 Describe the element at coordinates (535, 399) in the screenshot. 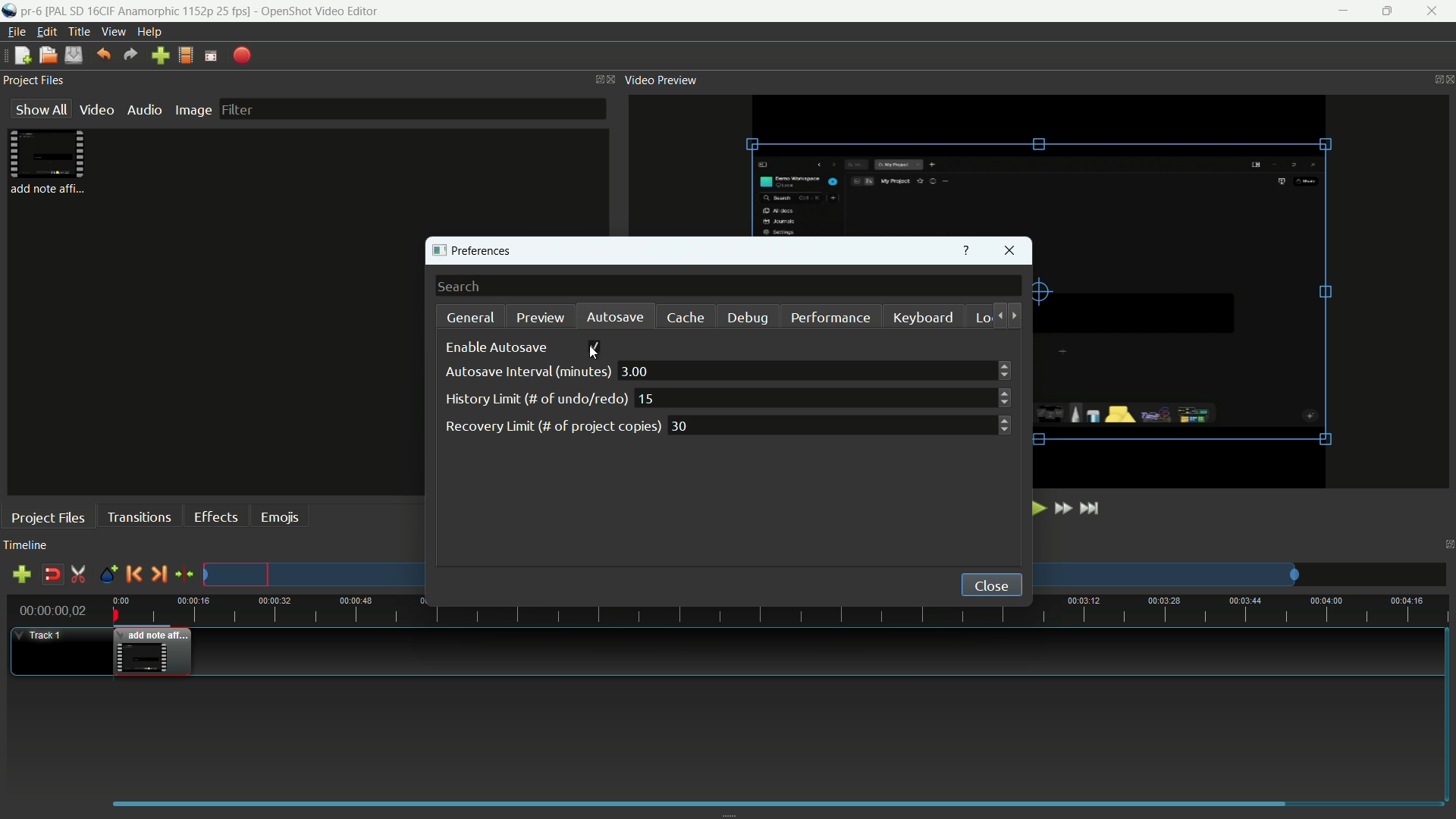

I see `history limit` at that location.